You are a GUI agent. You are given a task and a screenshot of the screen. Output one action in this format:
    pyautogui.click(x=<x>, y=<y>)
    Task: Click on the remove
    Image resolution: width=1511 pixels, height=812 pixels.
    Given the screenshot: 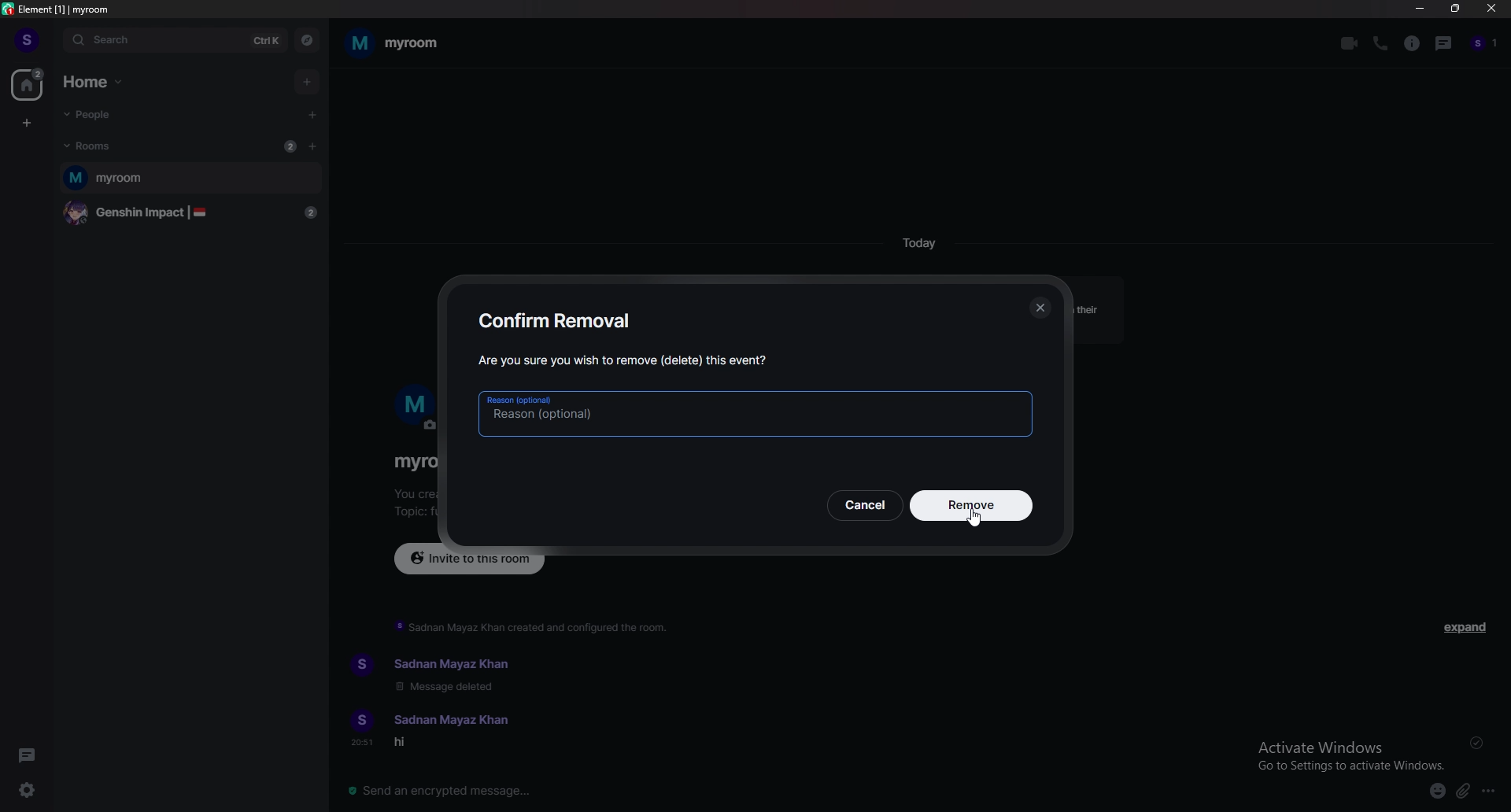 What is the action you would take?
    pyautogui.click(x=970, y=505)
    